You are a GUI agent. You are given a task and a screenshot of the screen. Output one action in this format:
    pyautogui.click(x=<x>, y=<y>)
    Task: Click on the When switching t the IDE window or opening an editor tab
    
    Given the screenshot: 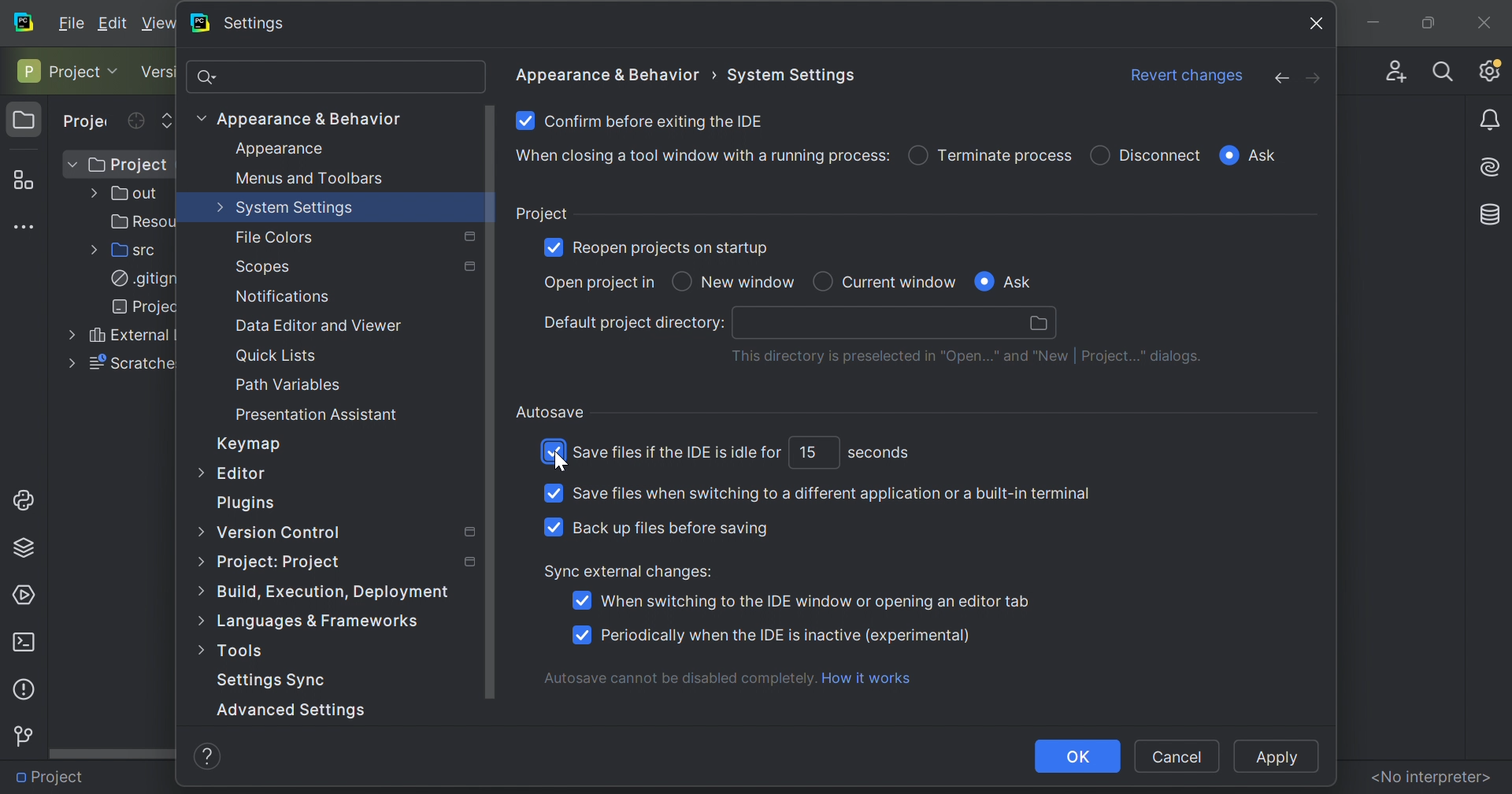 What is the action you would take?
    pyautogui.click(x=813, y=601)
    